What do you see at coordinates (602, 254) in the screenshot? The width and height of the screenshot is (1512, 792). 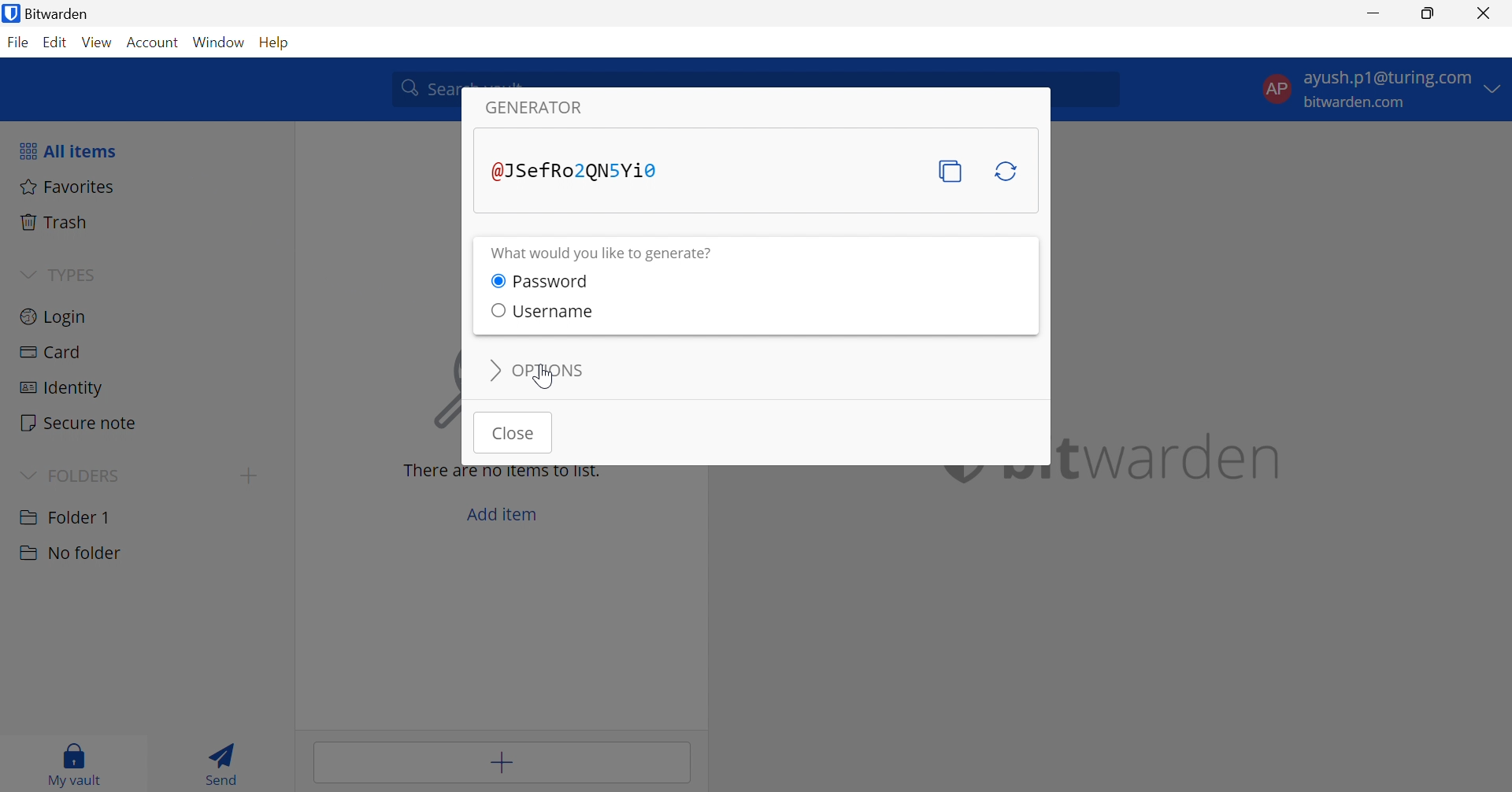 I see `What would you like to generate?` at bounding box center [602, 254].